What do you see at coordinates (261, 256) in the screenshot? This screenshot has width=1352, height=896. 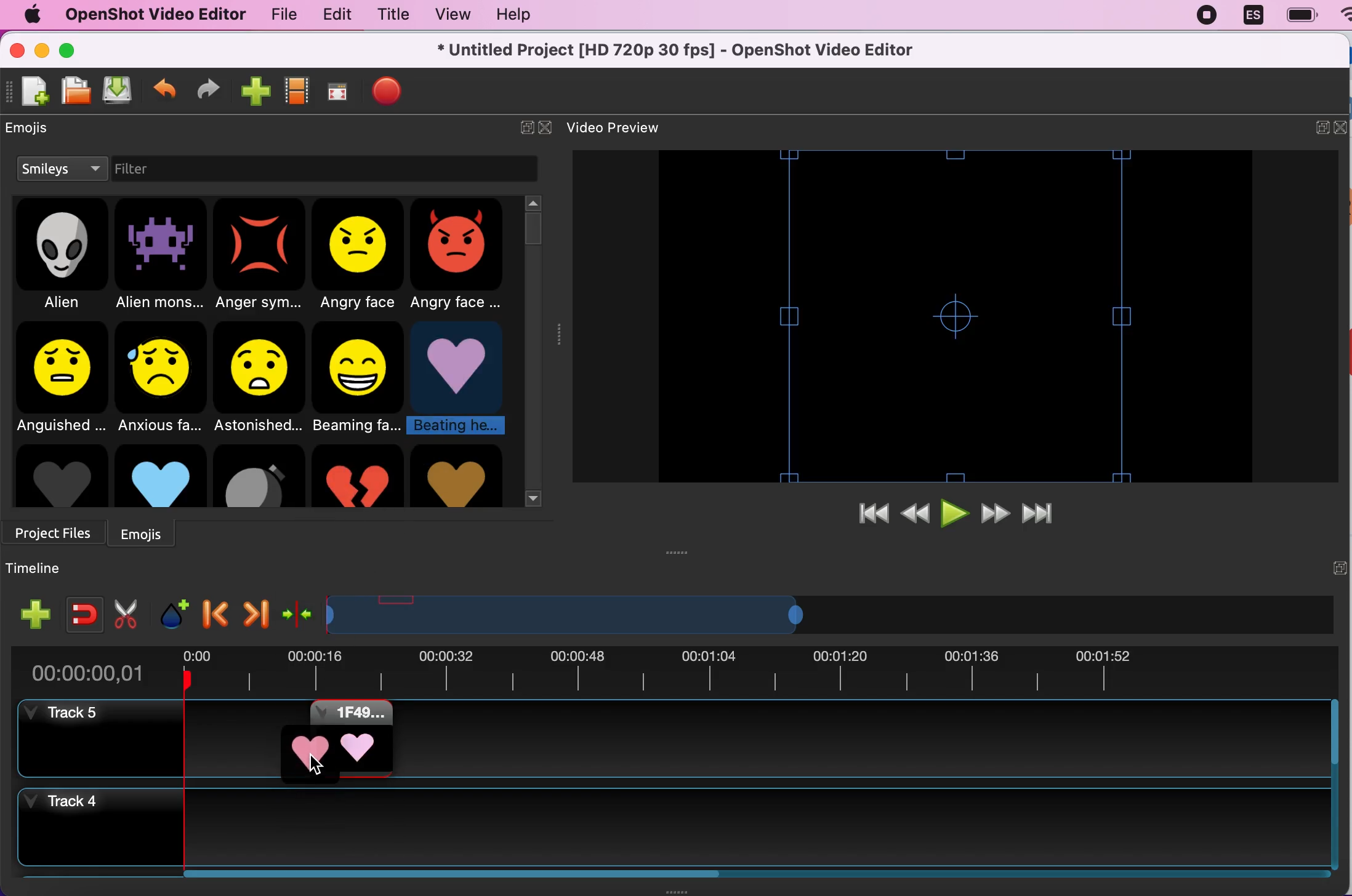 I see `anger` at bounding box center [261, 256].